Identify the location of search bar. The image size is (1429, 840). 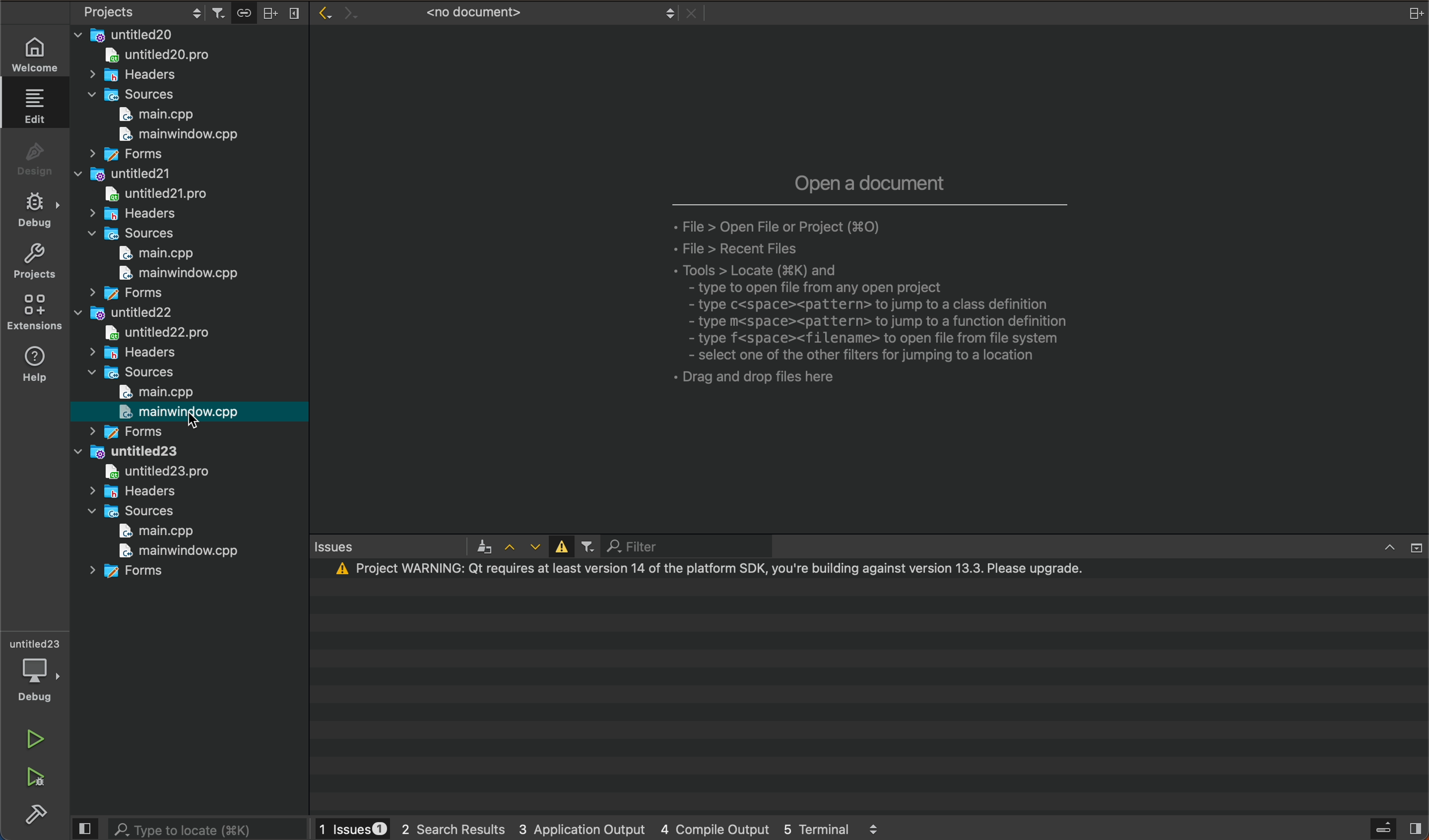
(208, 828).